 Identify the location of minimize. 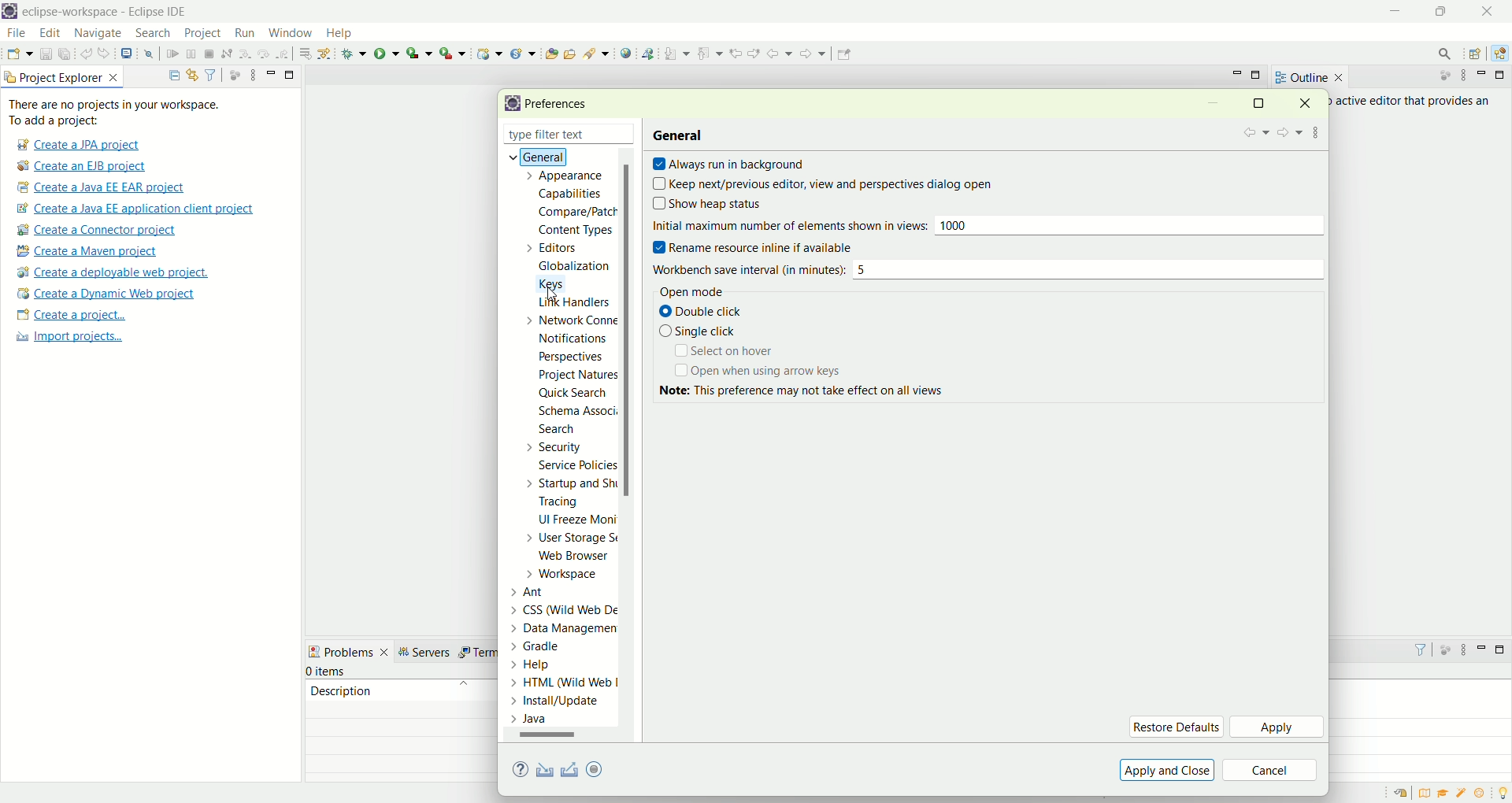
(1484, 75).